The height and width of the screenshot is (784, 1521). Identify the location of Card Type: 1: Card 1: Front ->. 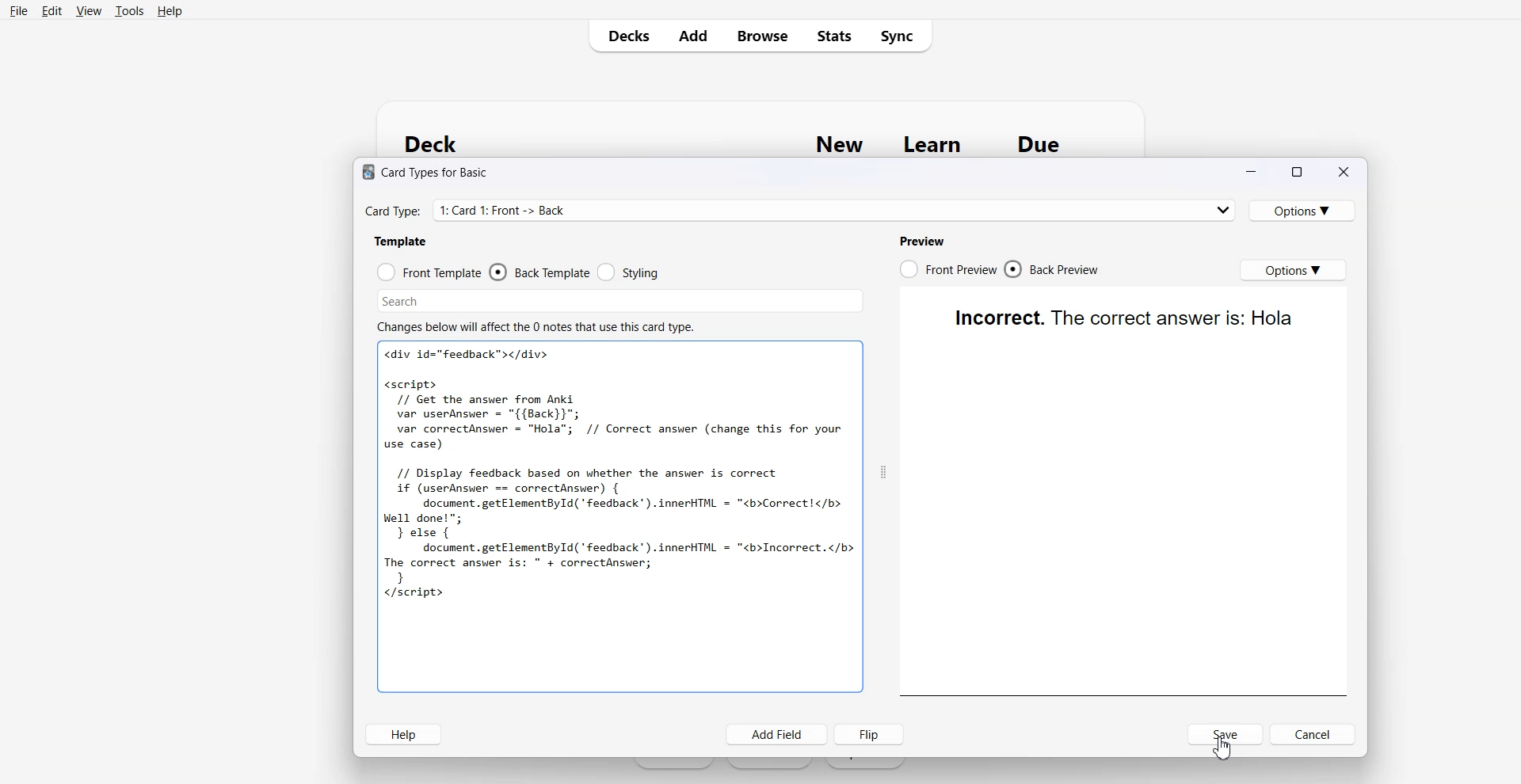
(794, 212).